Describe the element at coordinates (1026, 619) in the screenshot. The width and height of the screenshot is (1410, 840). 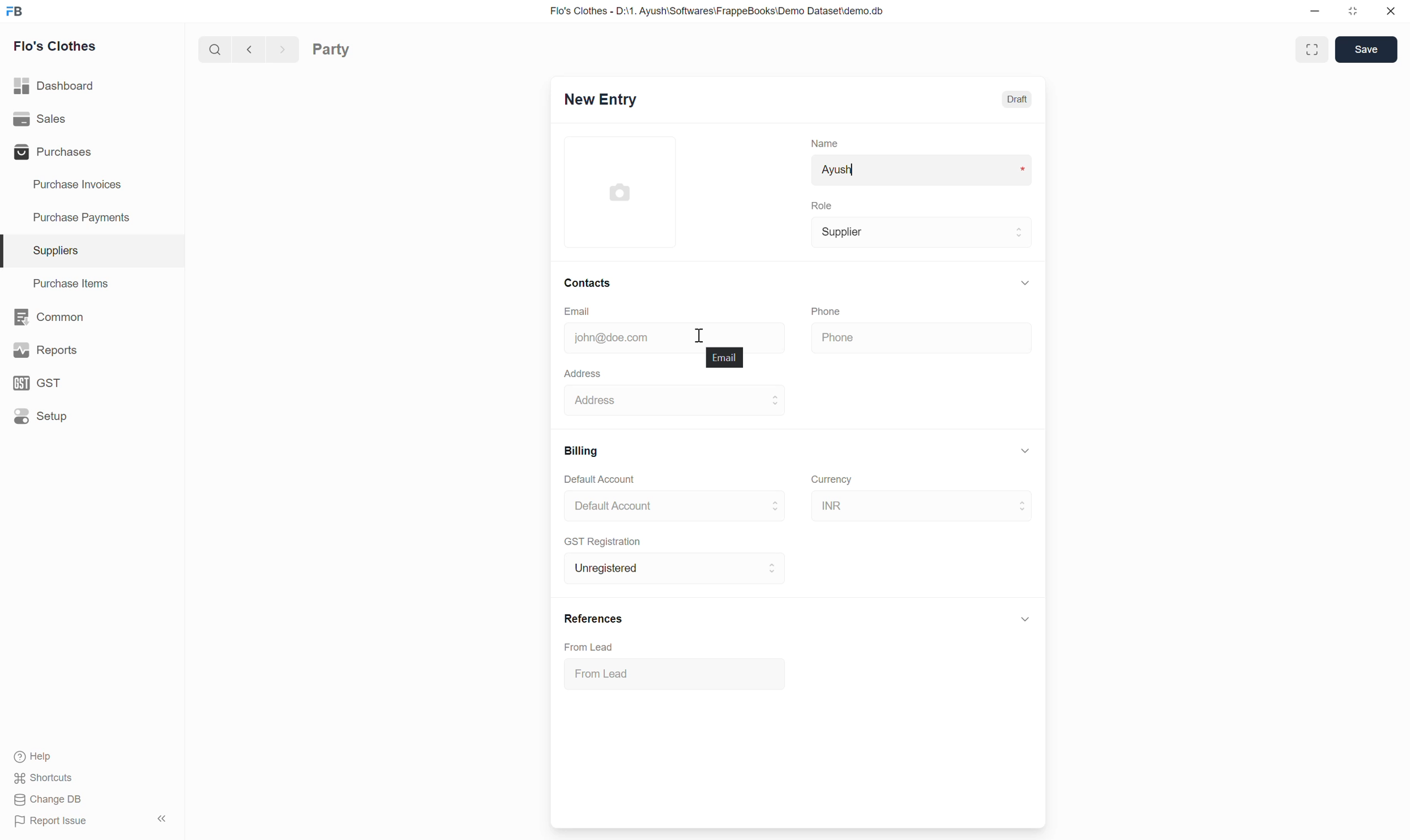
I see `Click to collapse` at that location.